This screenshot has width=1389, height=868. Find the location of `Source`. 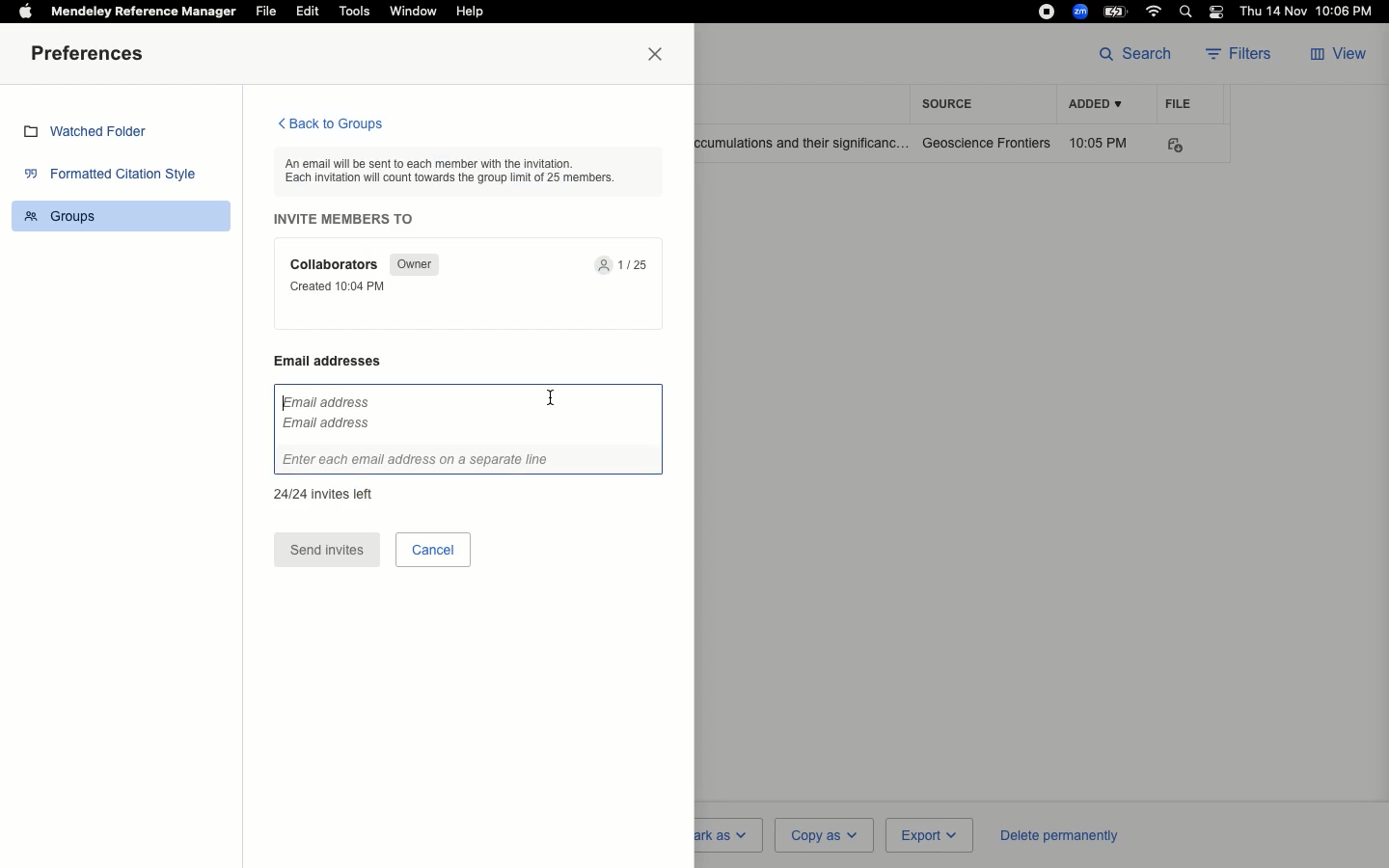

Source is located at coordinates (953, 103).